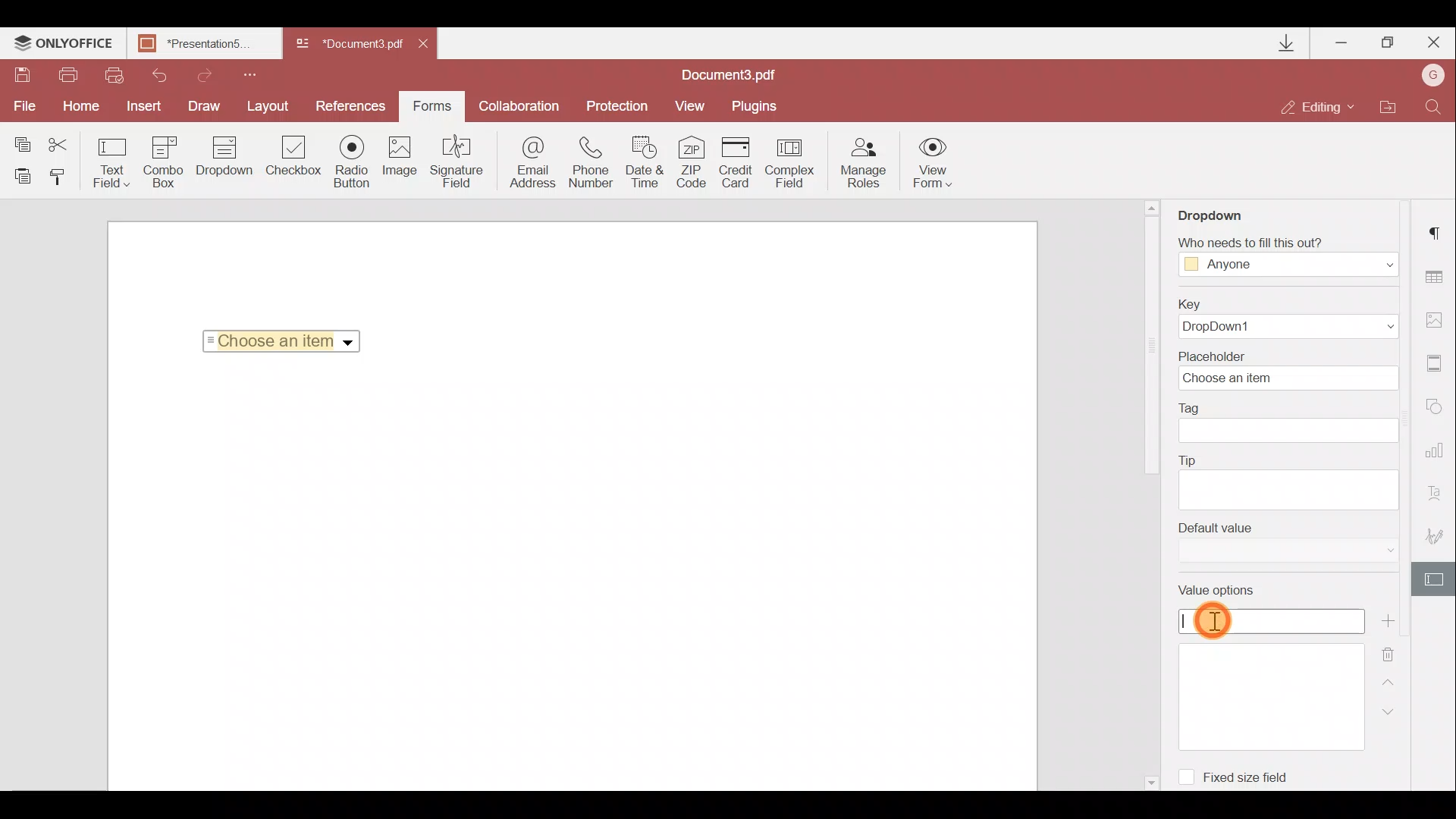  Describe the element at coordinates (1282, 318) in the screenshot. I see `Key` at that location.